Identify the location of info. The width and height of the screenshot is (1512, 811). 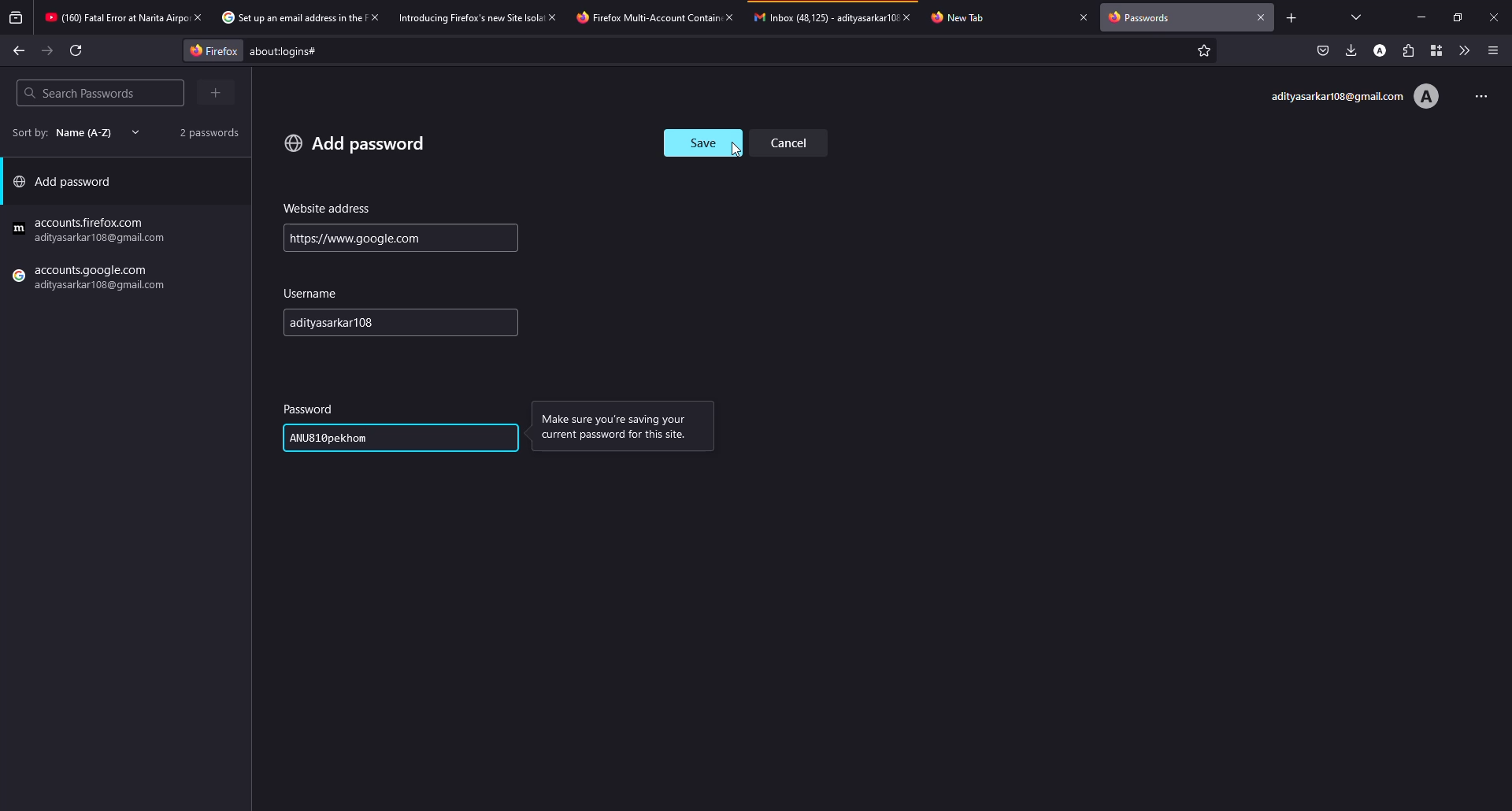
(620, 429).